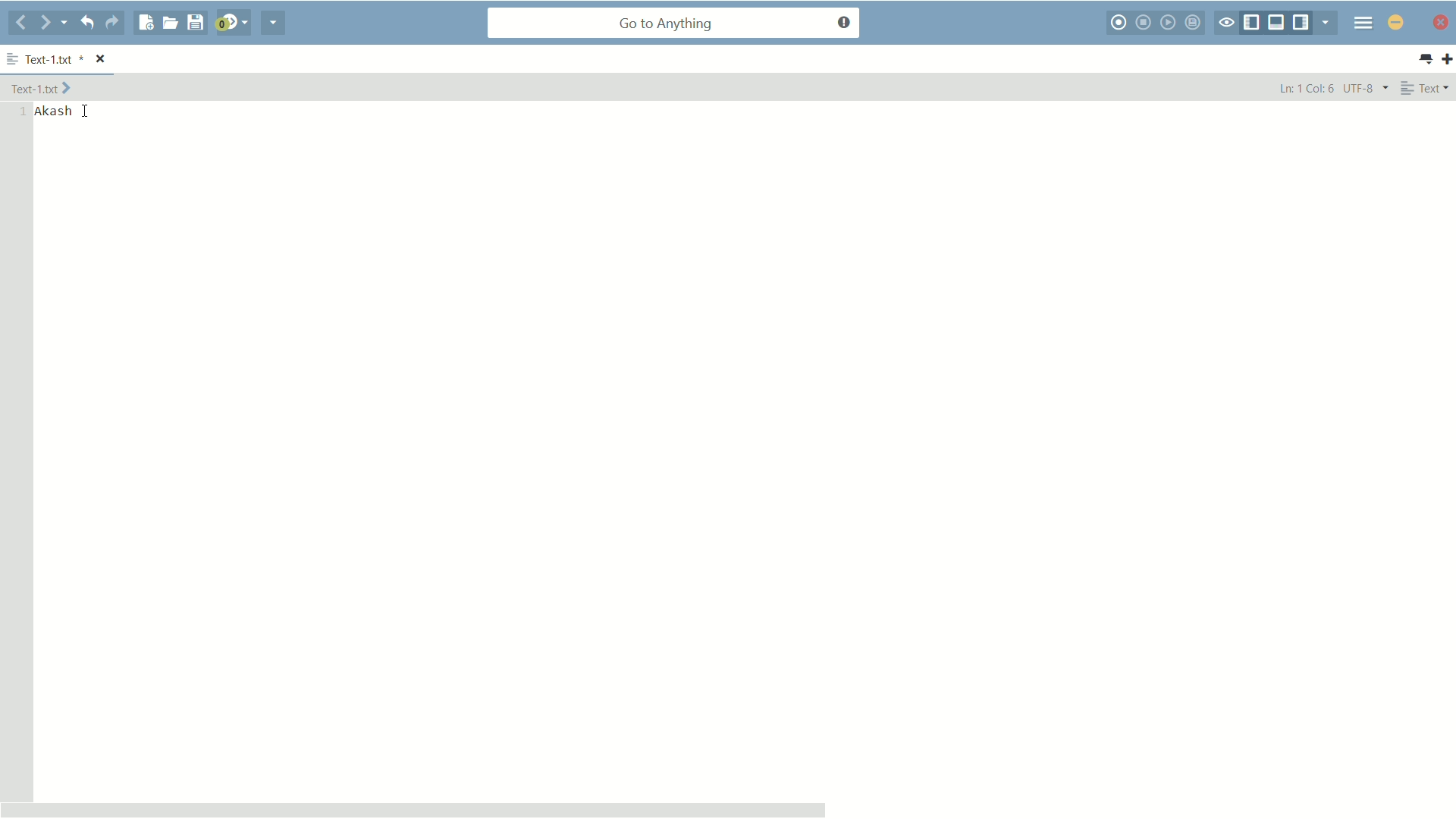 The width and height of the screenshot is (1456, 819). I want to click on menu, so click(1363, 22).